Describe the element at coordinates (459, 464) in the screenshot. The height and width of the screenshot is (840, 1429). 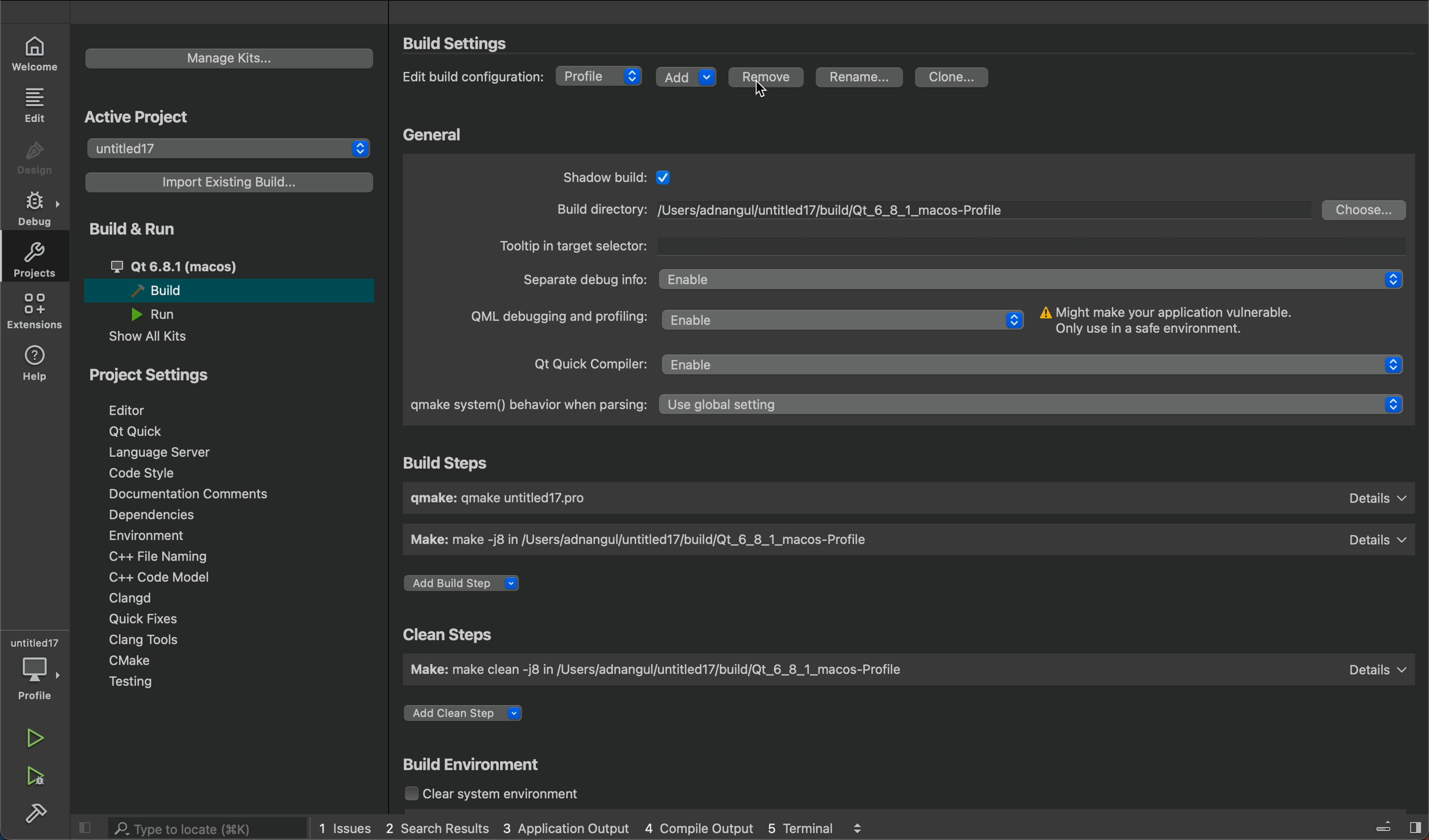
I see `build step` at that location.